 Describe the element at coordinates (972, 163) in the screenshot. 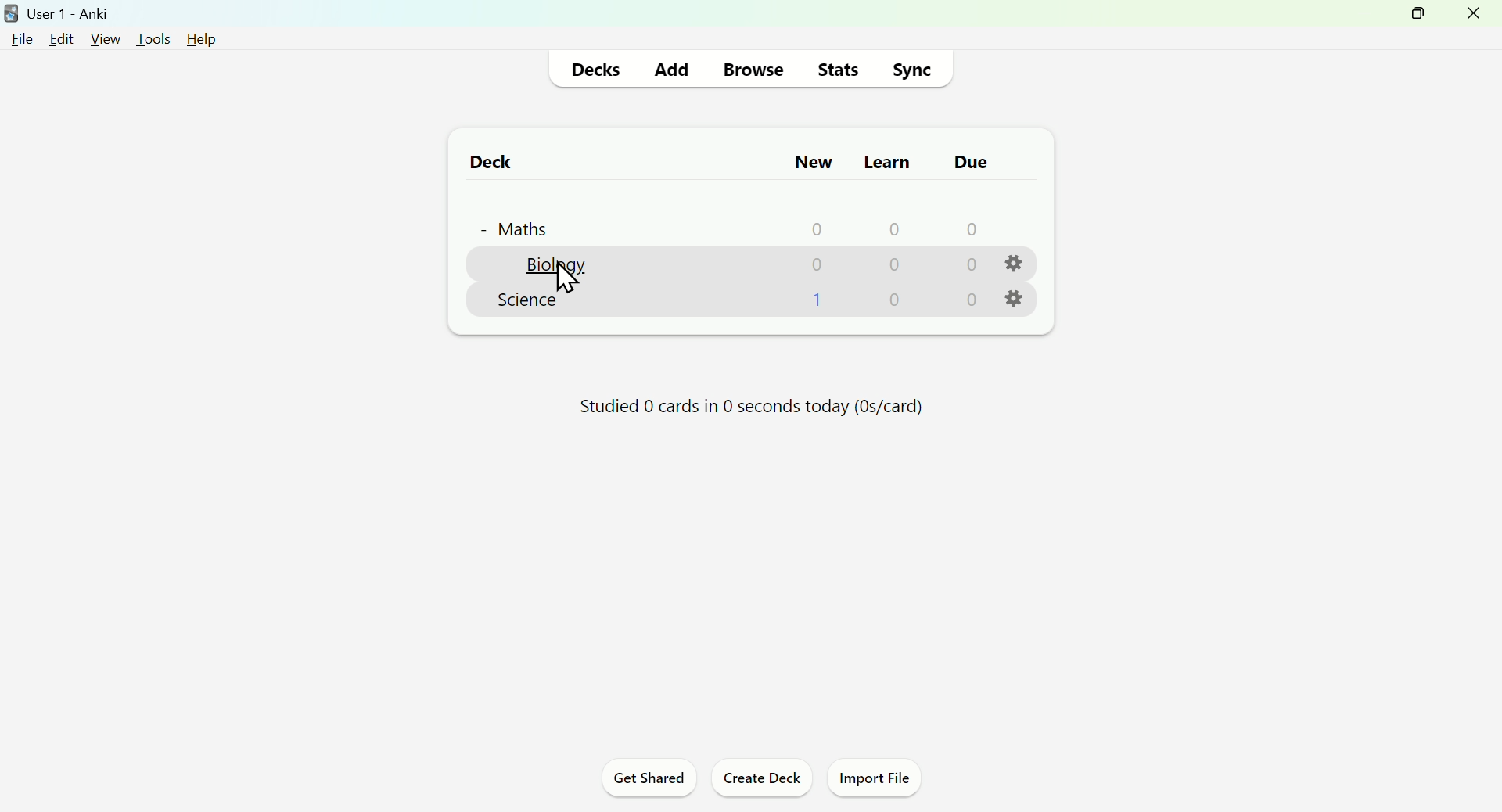

I see `due` at that location.